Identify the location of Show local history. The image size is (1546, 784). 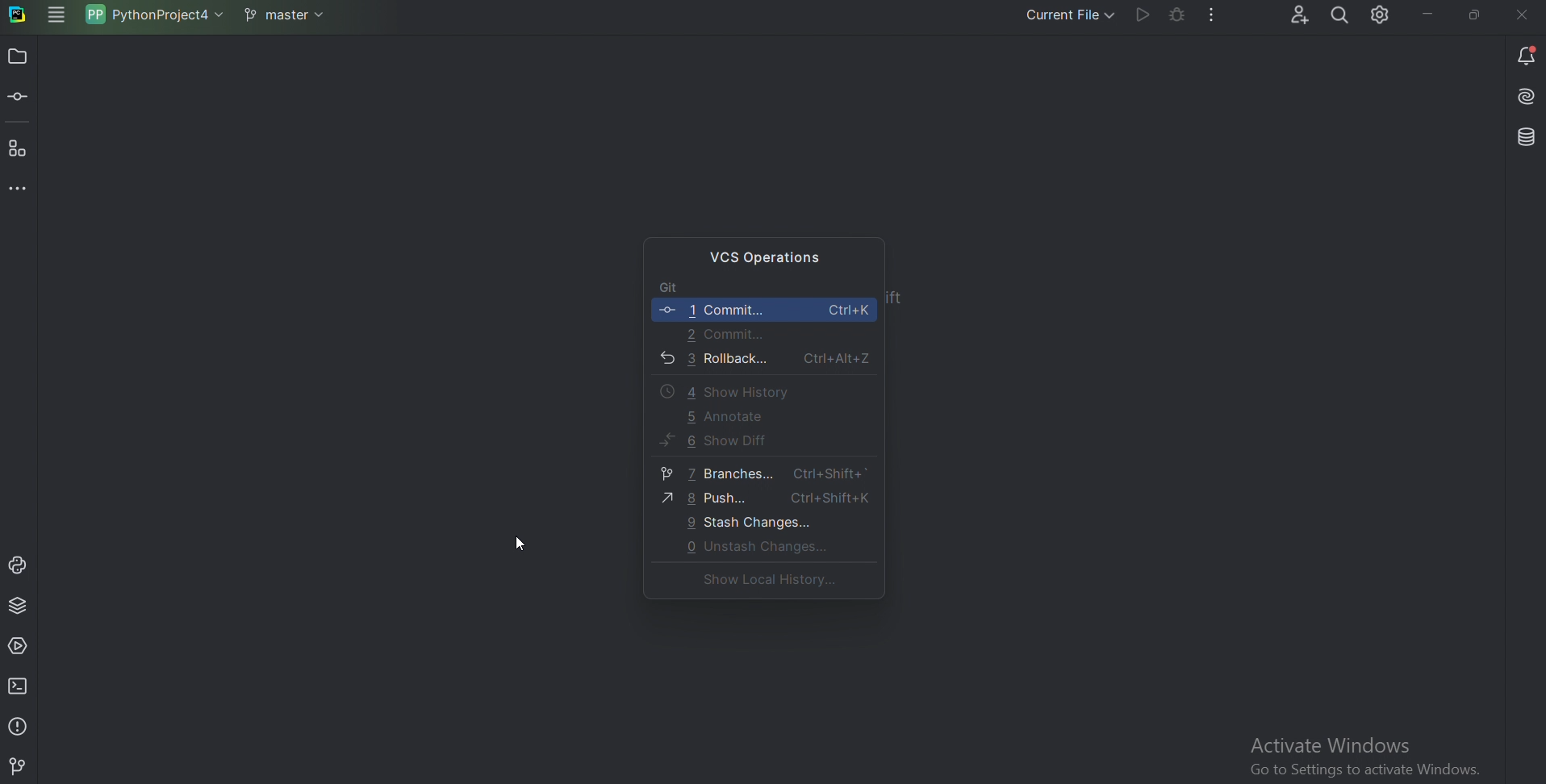
(760, 582).